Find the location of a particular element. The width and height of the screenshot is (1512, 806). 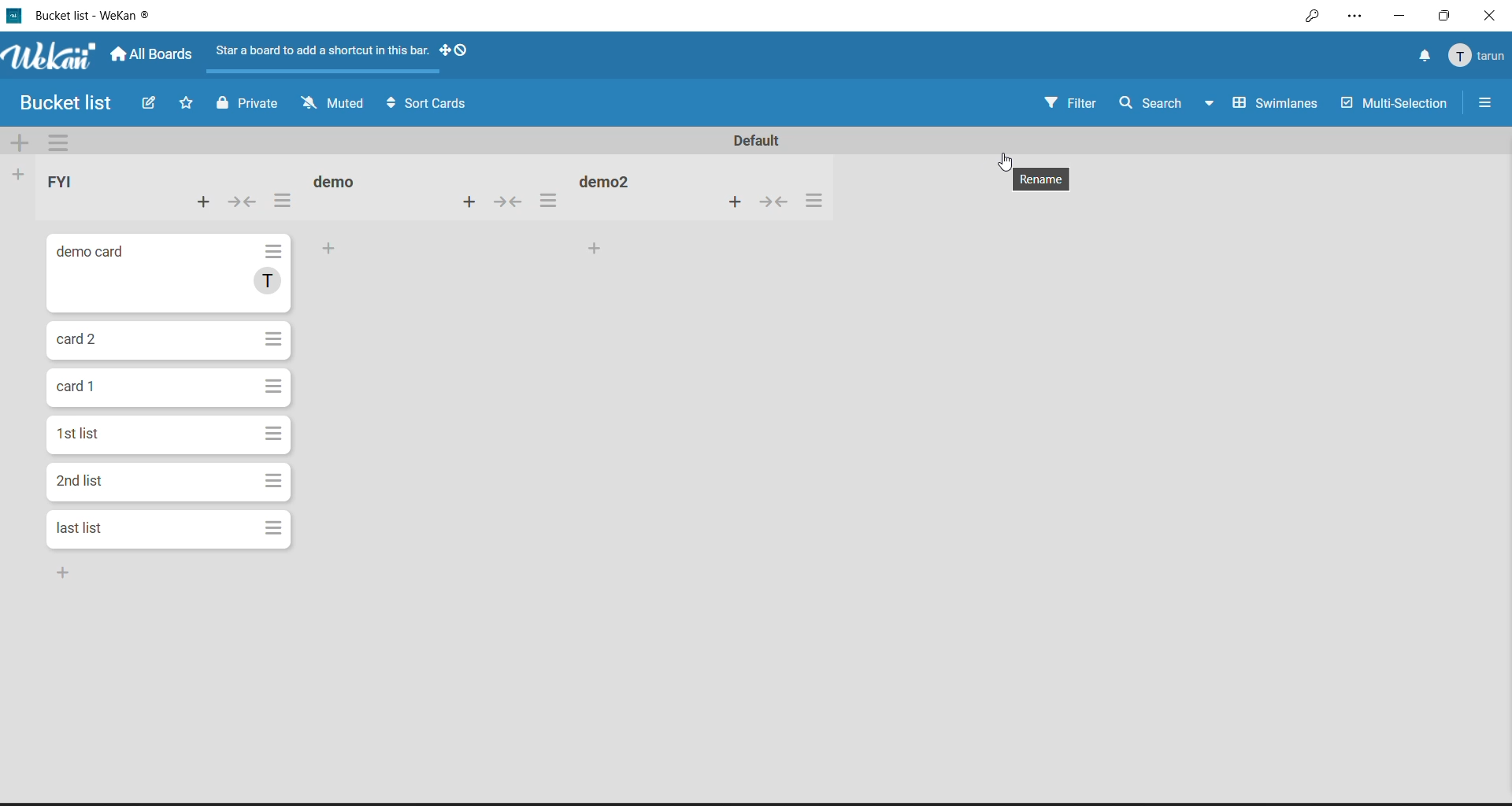

app name and logo is located at coordinates (51, 57).